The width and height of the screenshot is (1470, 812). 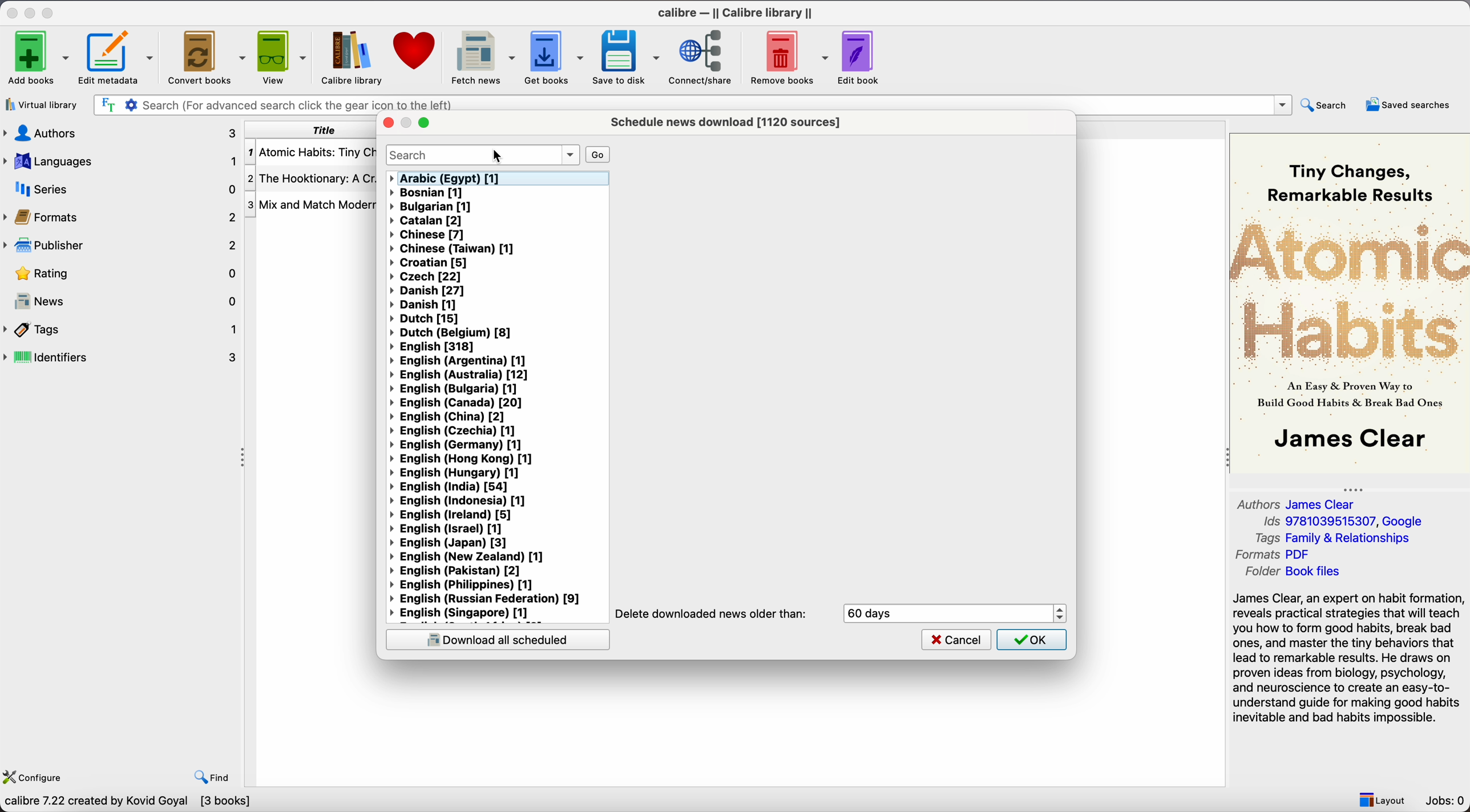 I want to click on English [318], so click(x=434, y=347).